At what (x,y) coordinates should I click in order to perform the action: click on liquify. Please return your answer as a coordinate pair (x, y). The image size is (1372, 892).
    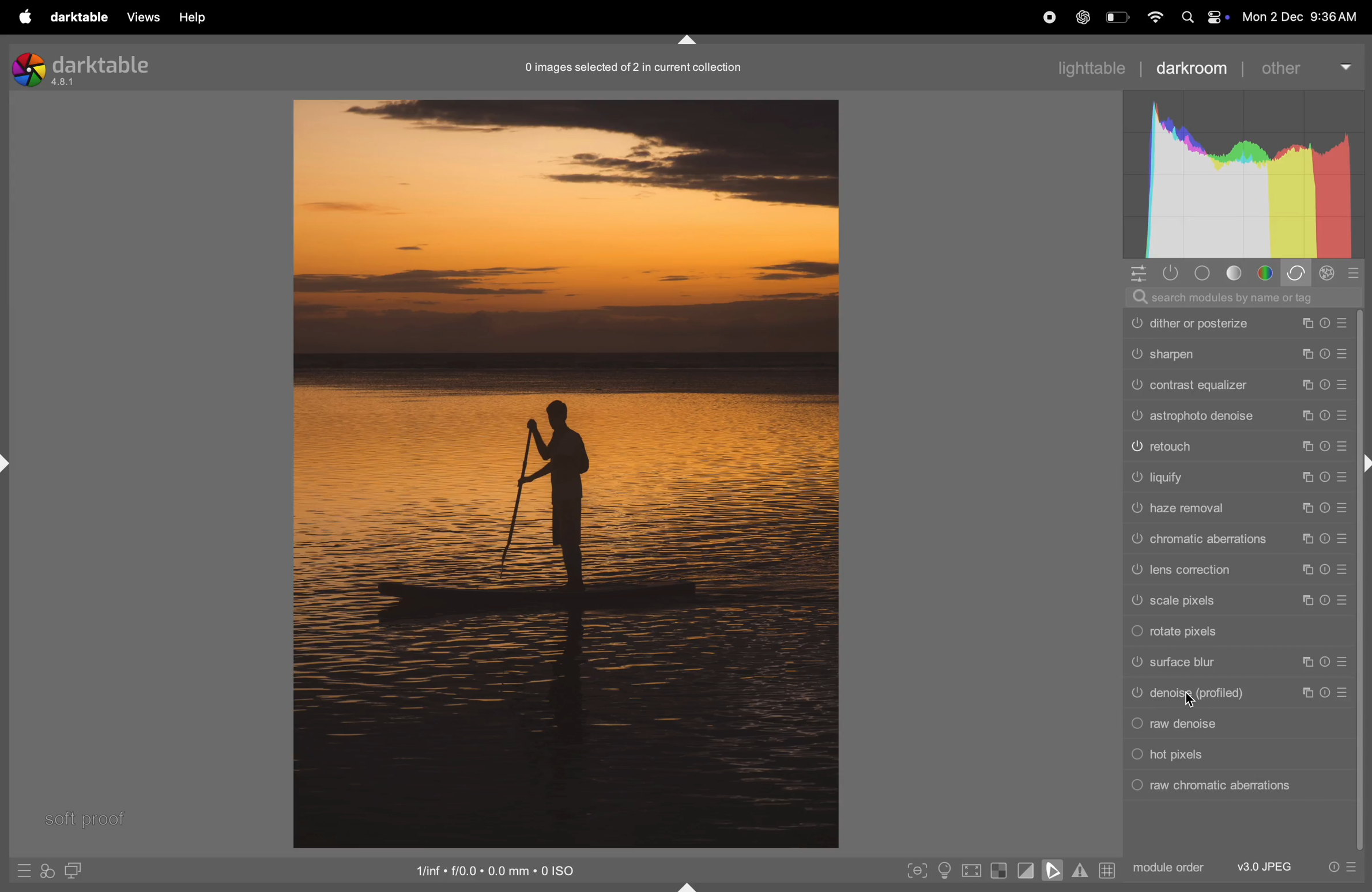
    Looking at the image, I should click on (1238, 478).